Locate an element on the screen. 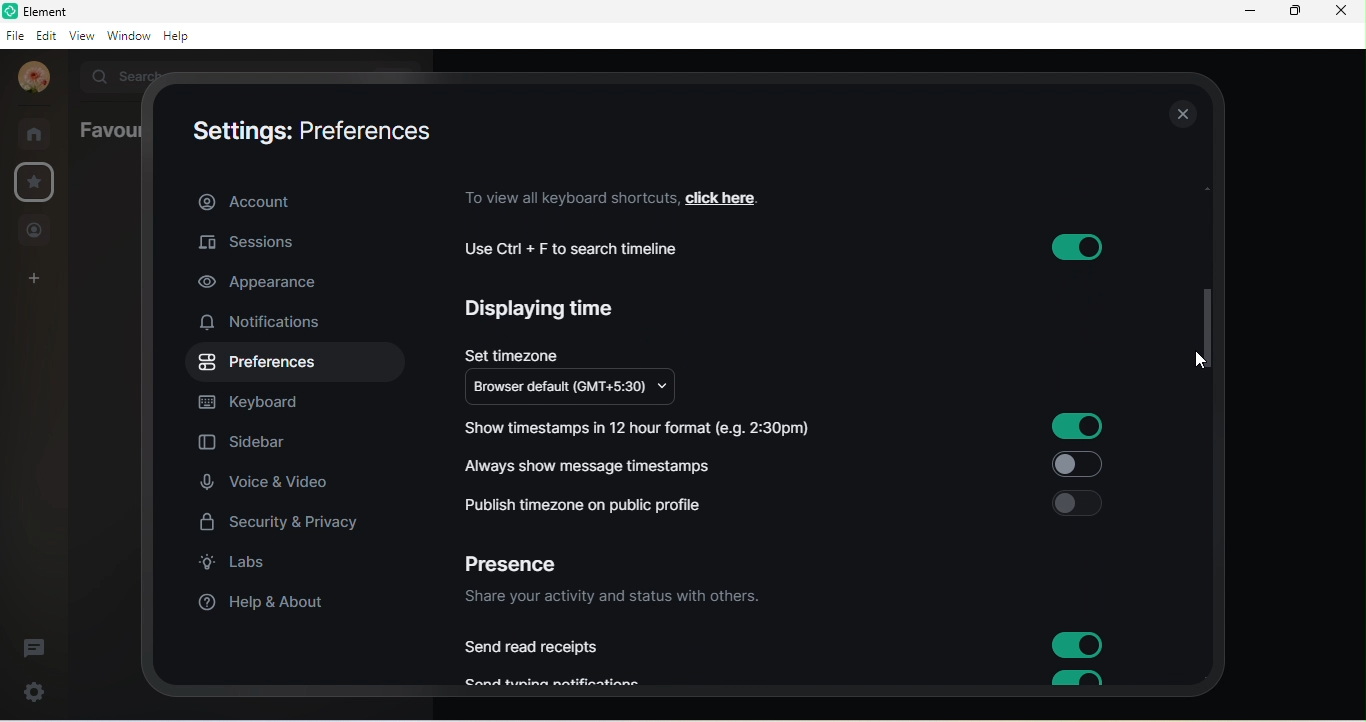 The width and height of the screenshot is (1366, 722). settings: account is located at coordinates (302, 130).